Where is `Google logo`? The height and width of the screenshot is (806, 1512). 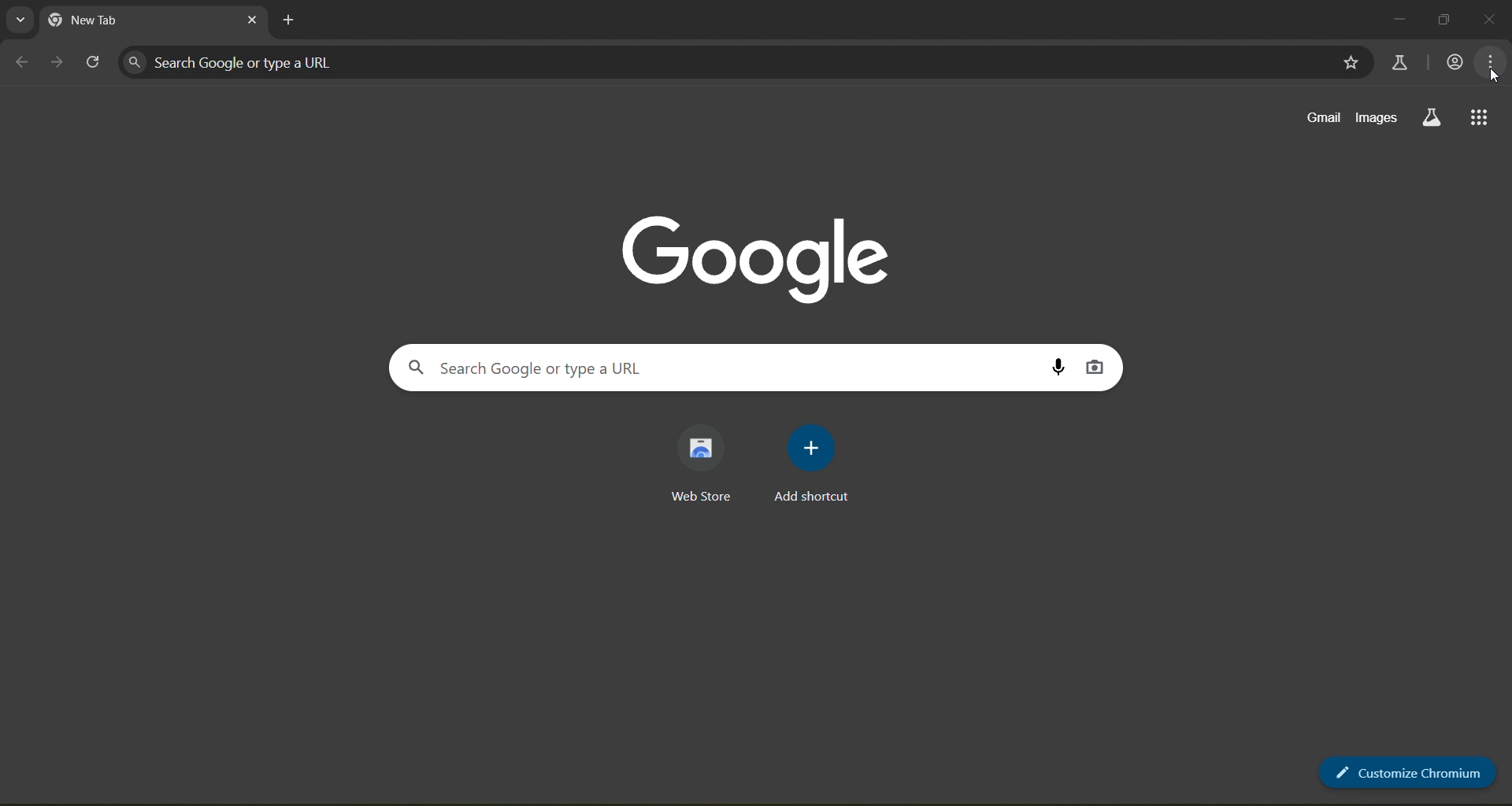
Google logo is located at coordinates (758, 253).